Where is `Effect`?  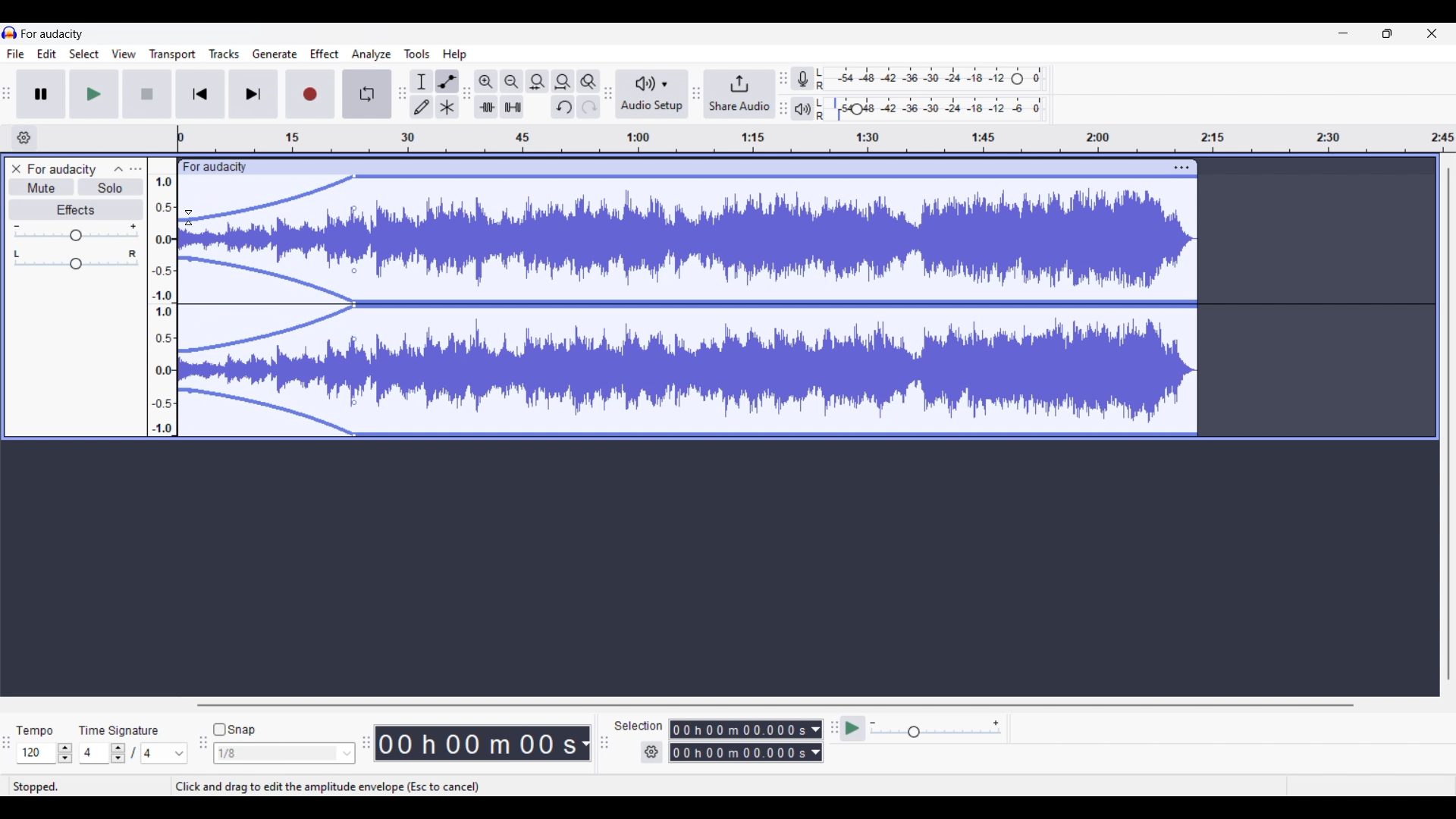
Effect is located at coordinates (325, 53).